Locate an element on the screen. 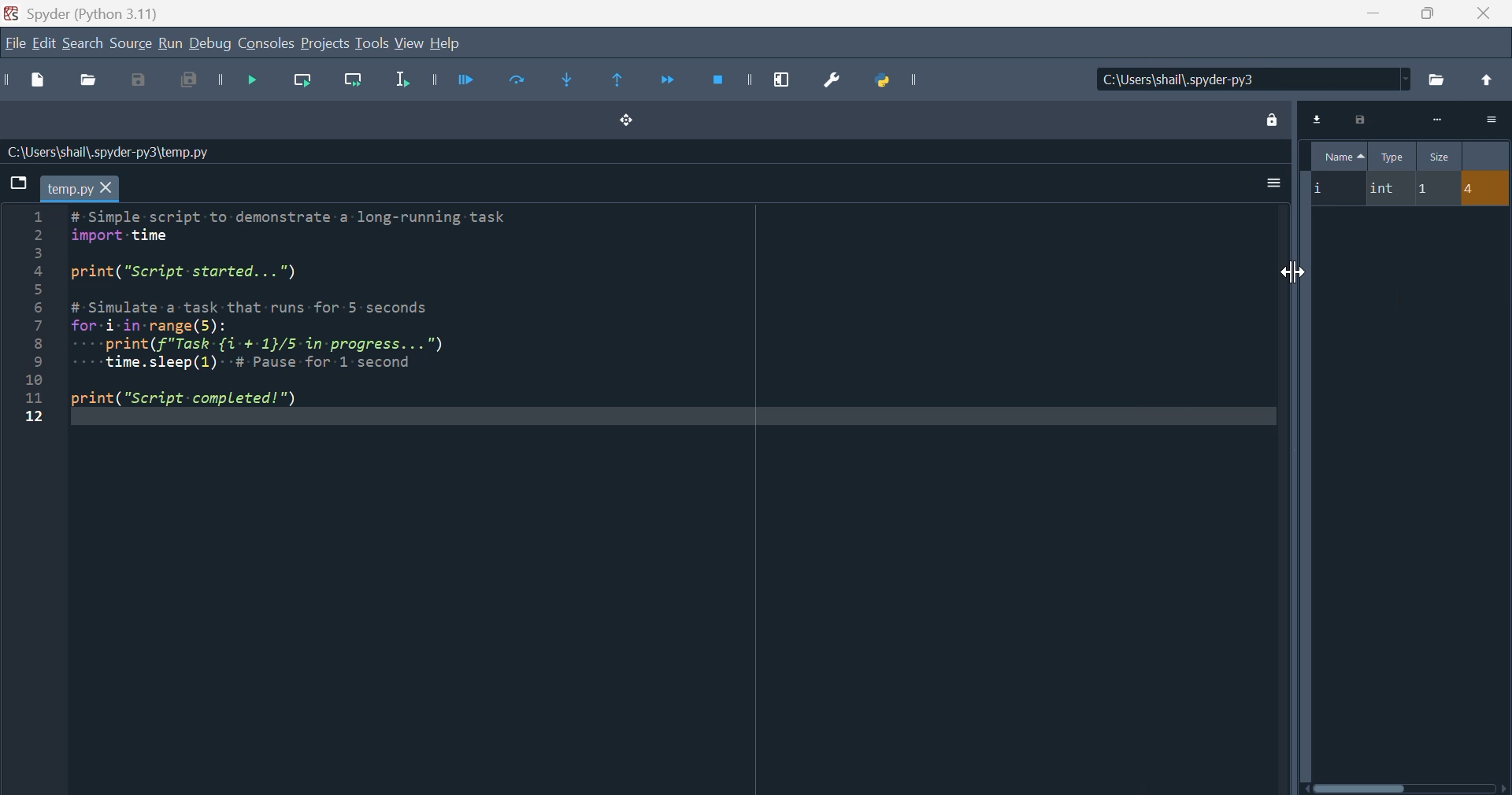  Open file is located at coordinates (87, 82).